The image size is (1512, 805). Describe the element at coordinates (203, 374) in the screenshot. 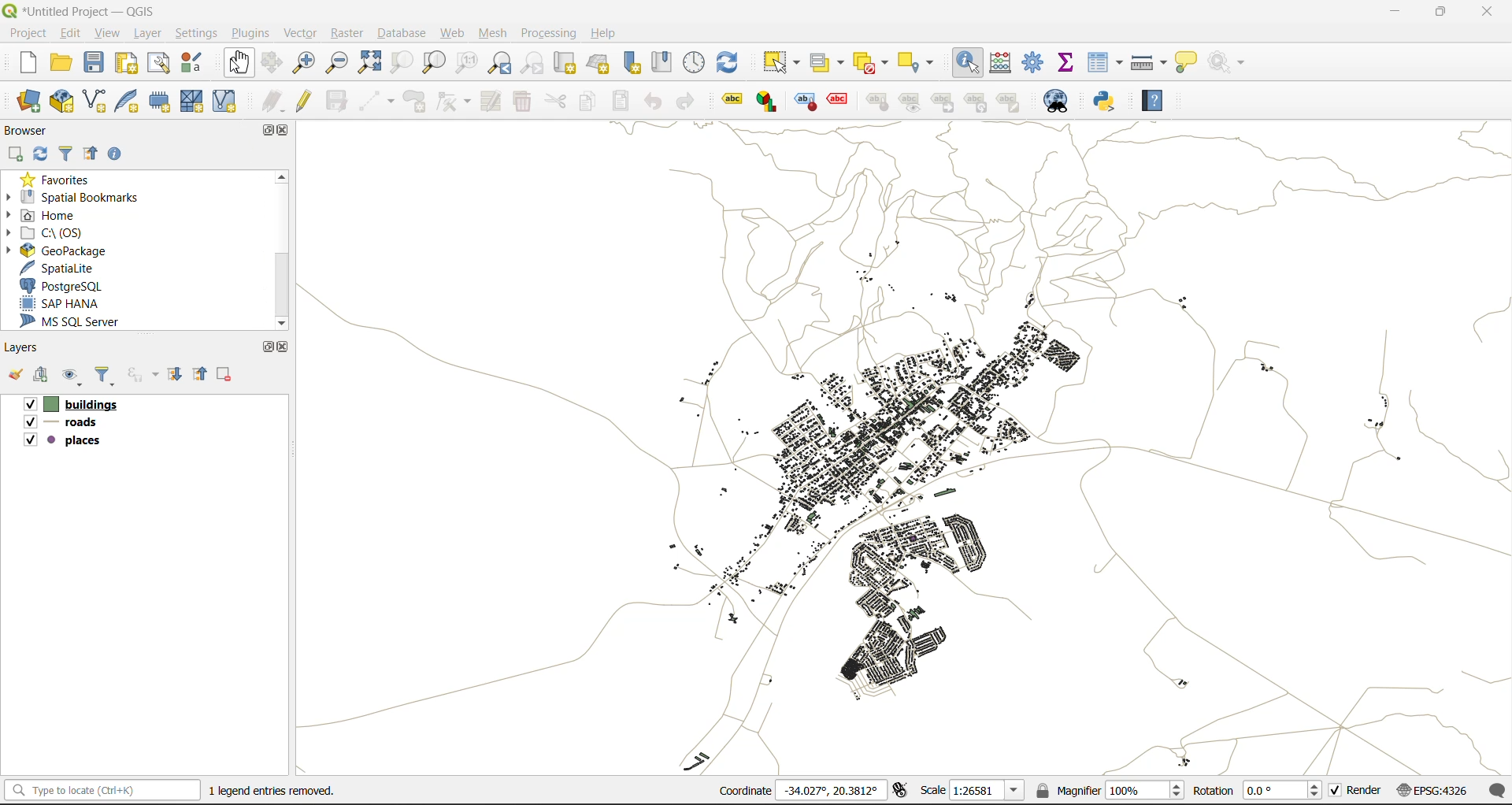

I see `collapse all` at that location.